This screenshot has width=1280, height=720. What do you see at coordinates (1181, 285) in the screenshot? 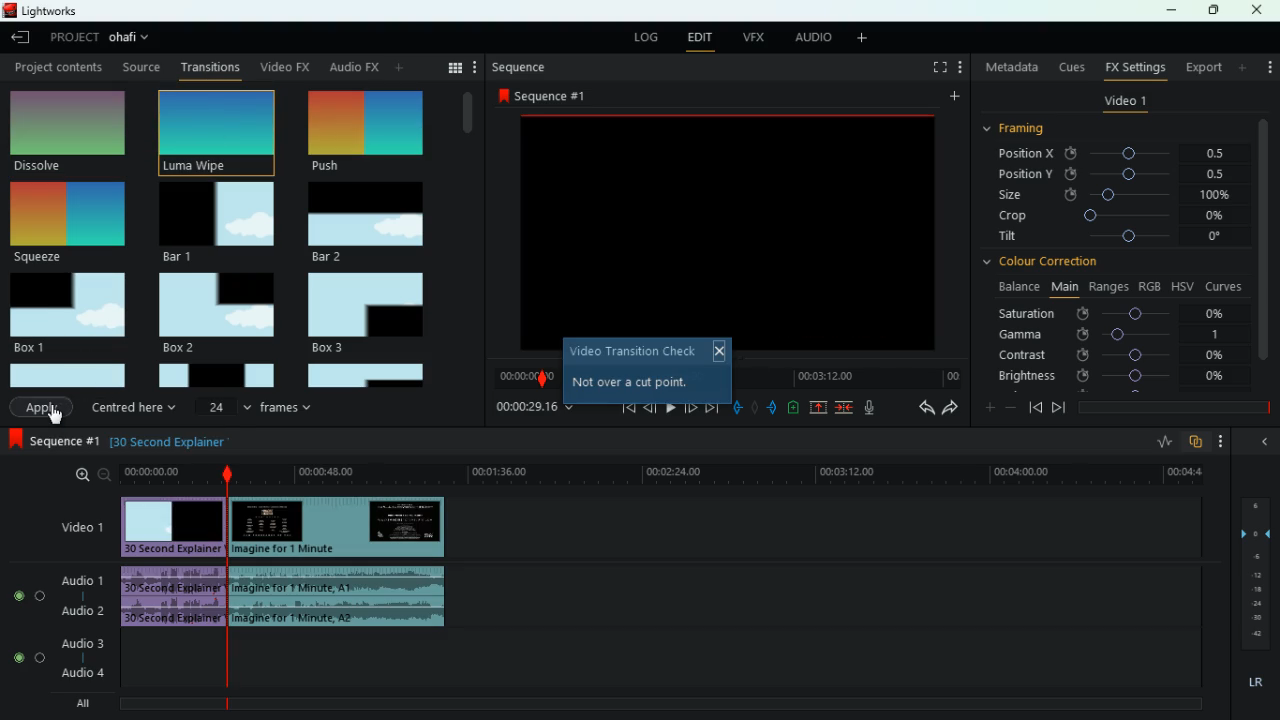
I see `hsv` at bounding box center [1181, 285].